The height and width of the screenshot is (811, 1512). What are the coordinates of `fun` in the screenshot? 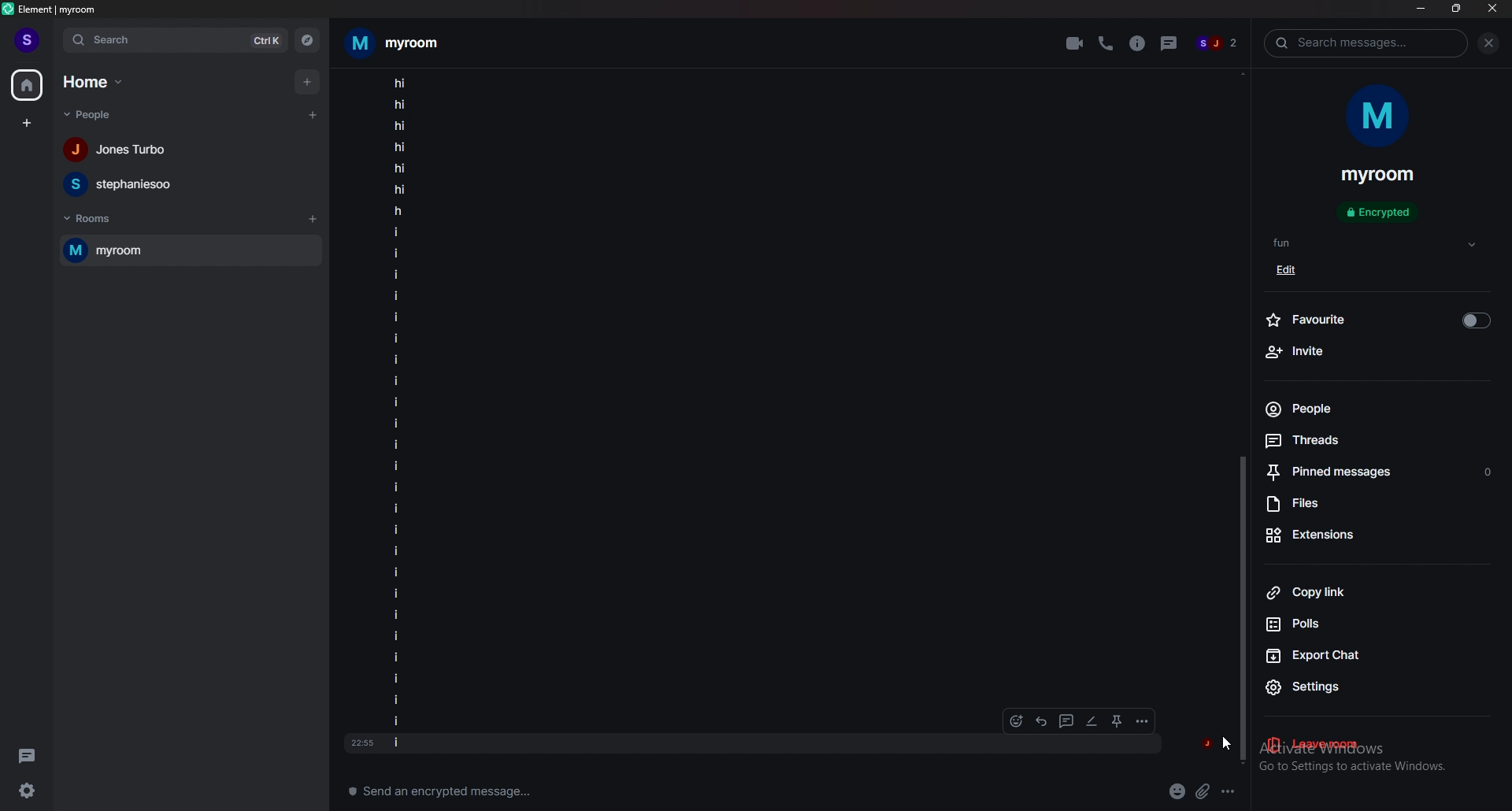 It's located at (1377, 243).